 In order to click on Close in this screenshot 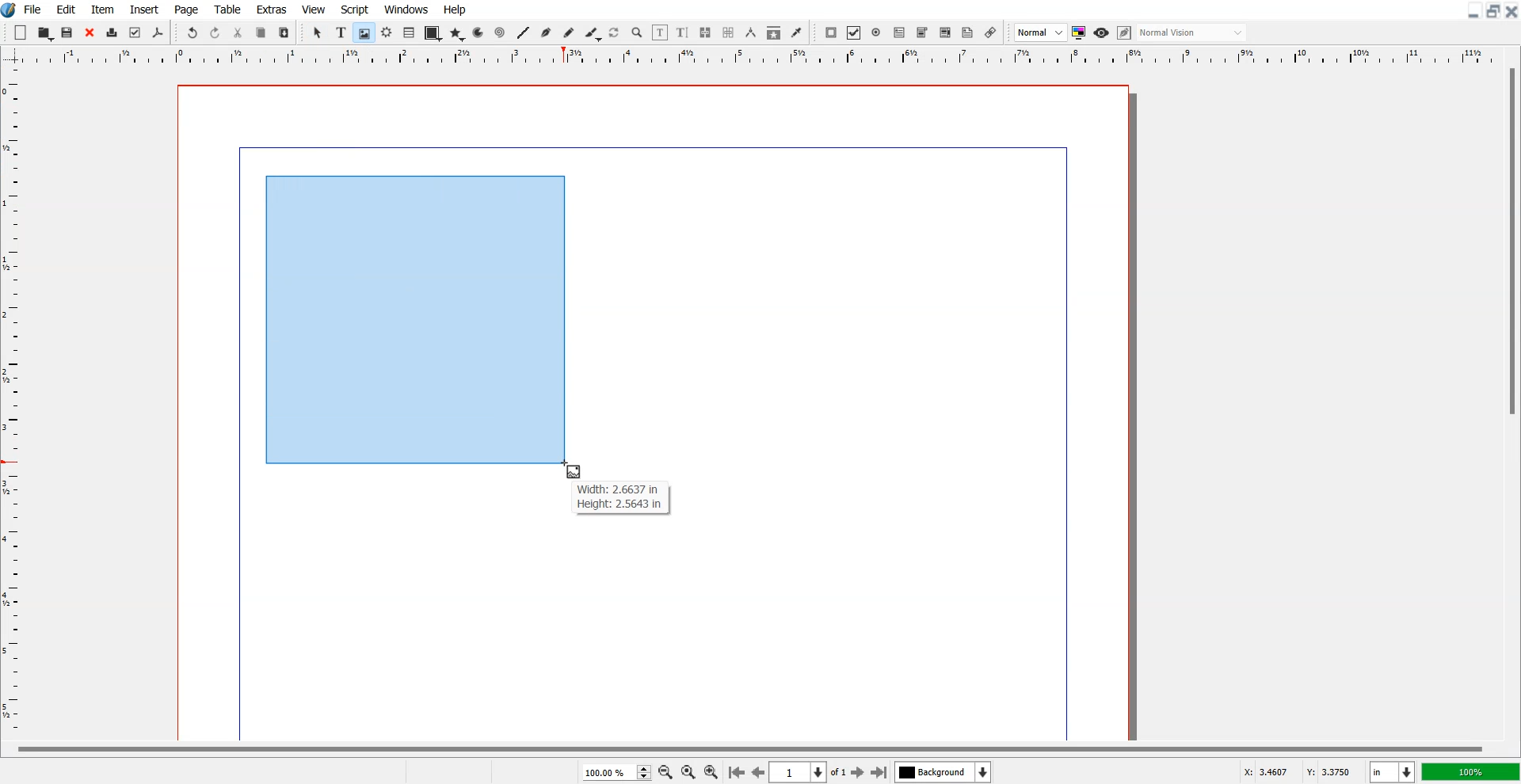, I will do `click(90, 32)`.